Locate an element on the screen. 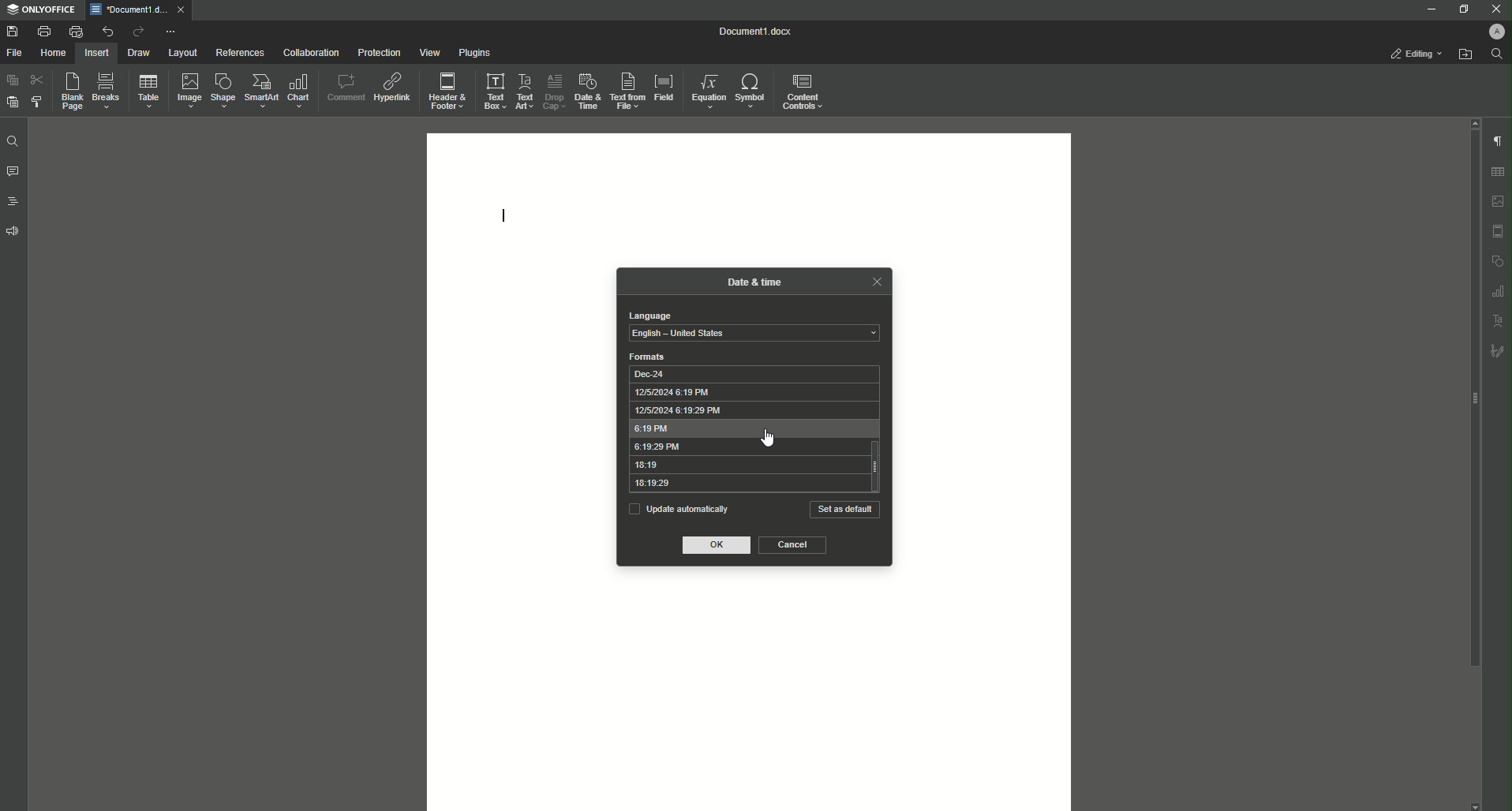  Cut is located at coordinates (36, 80).